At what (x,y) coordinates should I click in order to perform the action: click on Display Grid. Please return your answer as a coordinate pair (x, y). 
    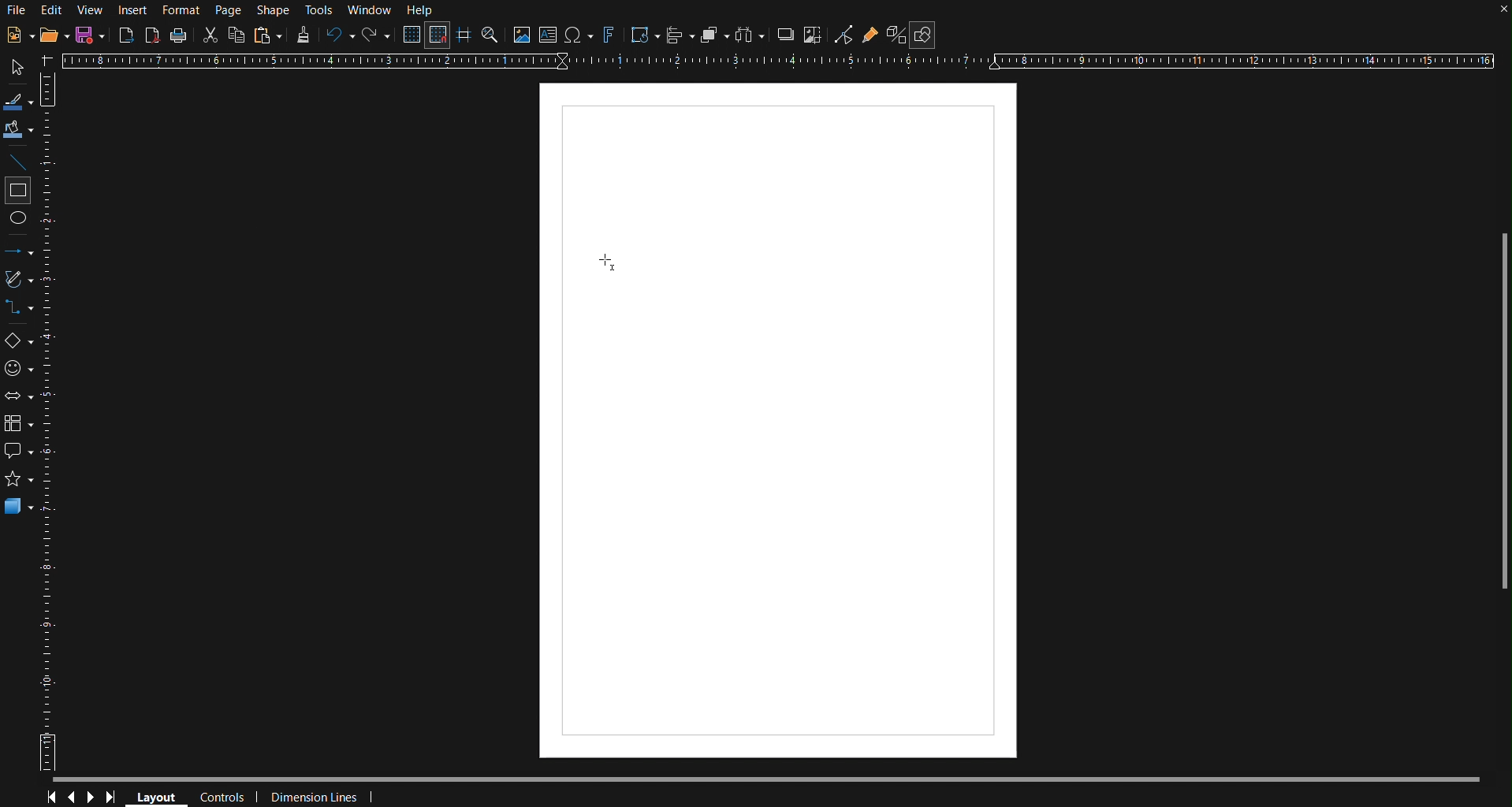
    Looking at the image, I should click on (413, 34).